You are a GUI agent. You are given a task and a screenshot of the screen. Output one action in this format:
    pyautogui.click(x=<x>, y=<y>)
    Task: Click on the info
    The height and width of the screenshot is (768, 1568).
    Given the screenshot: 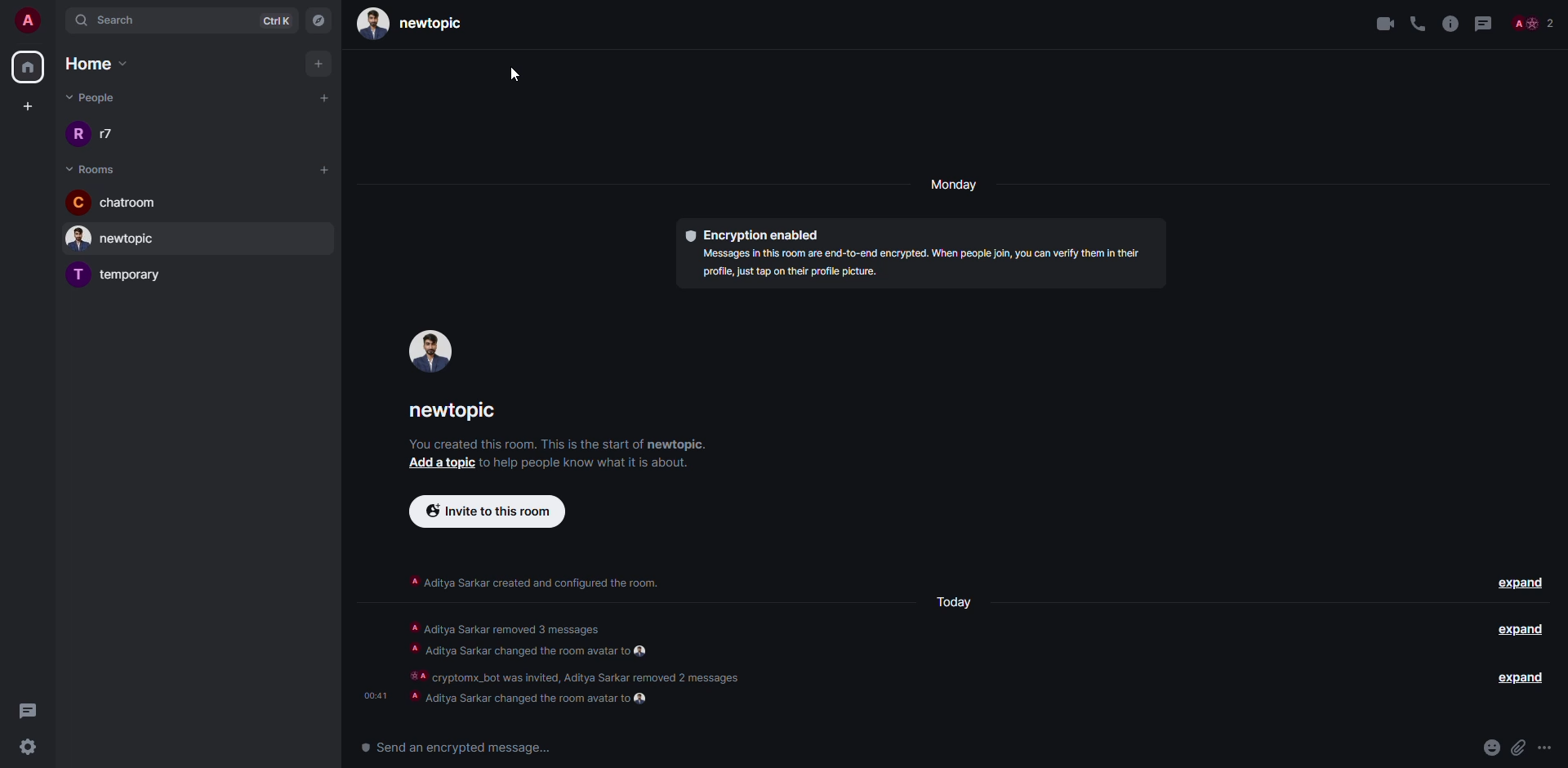 What is the action you would take?
    pyautogui.click(x=556, y=442)
    